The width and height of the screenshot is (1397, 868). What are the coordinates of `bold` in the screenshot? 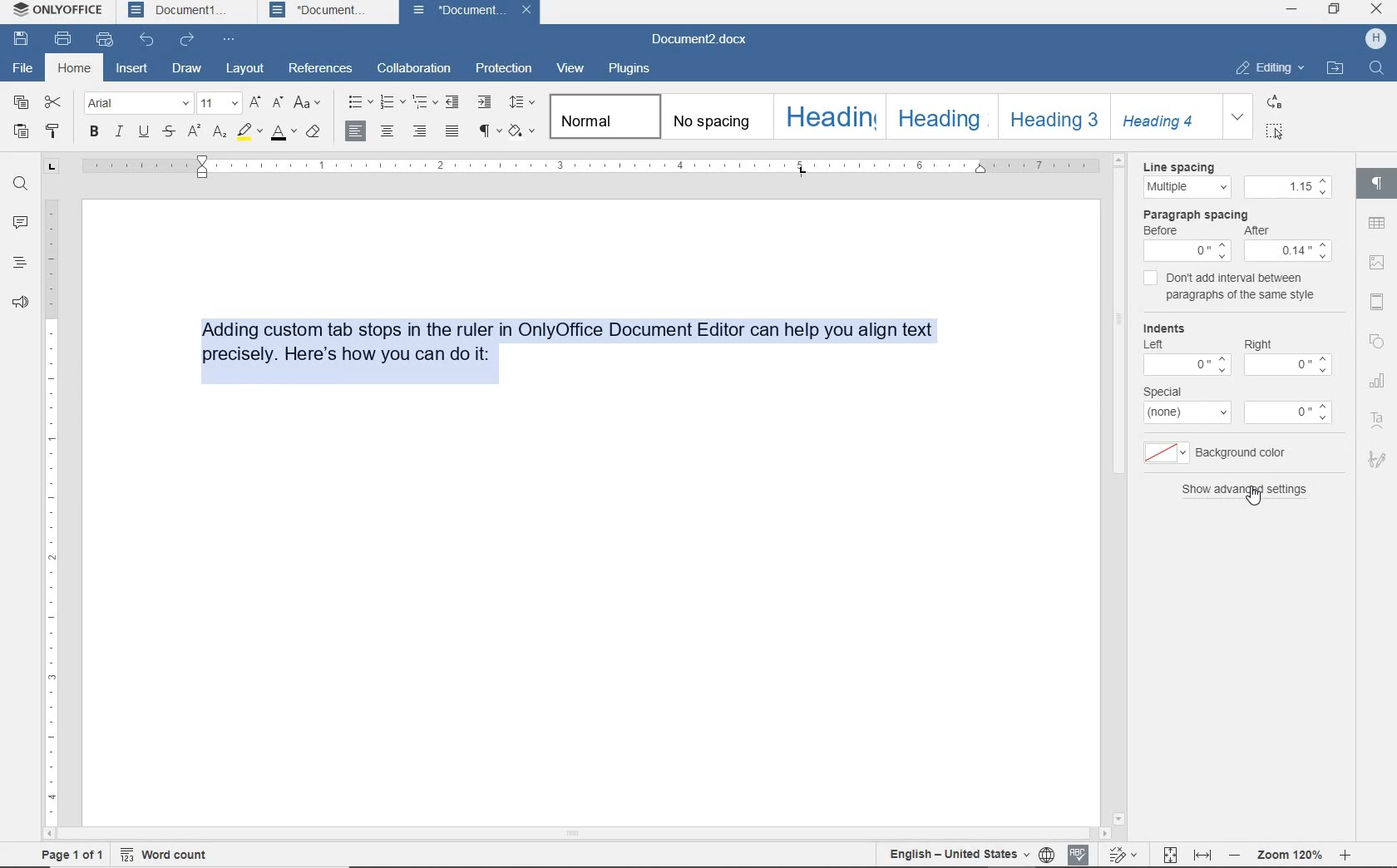 It's located at (95, 133).